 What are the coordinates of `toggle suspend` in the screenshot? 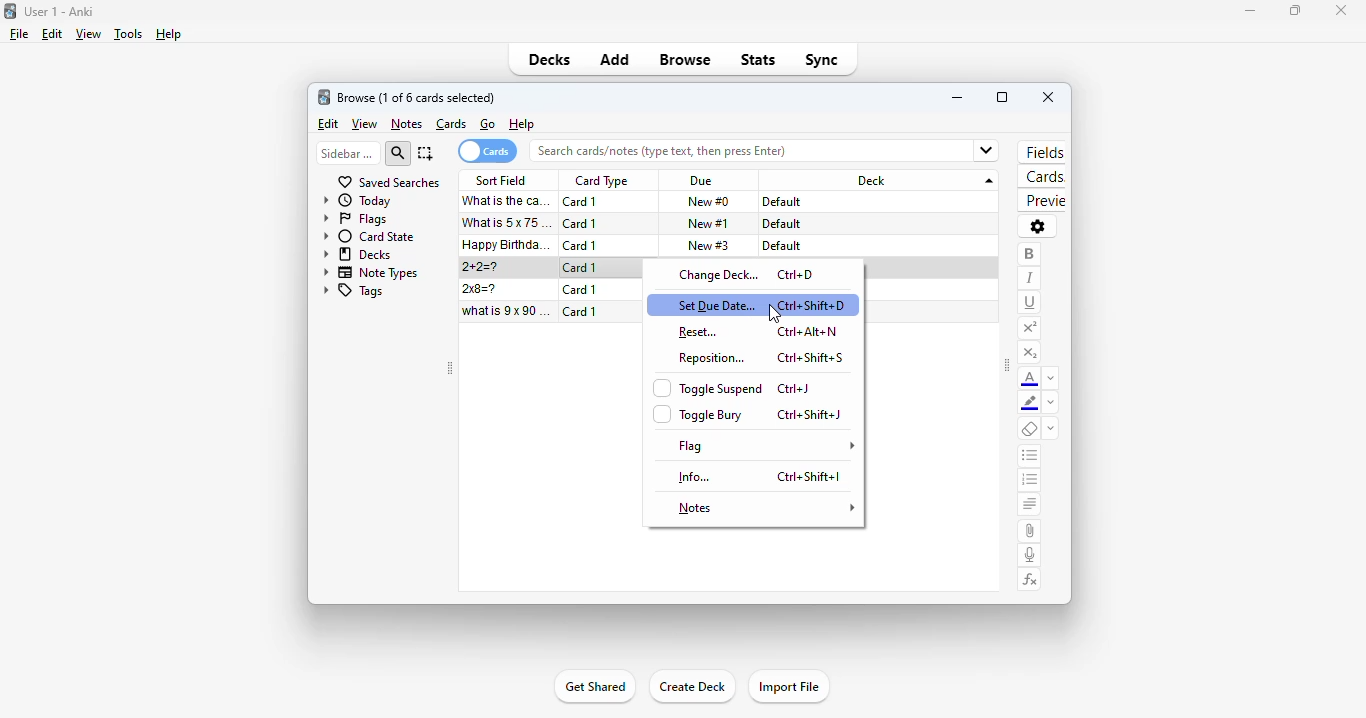 It's located at (709, 387).